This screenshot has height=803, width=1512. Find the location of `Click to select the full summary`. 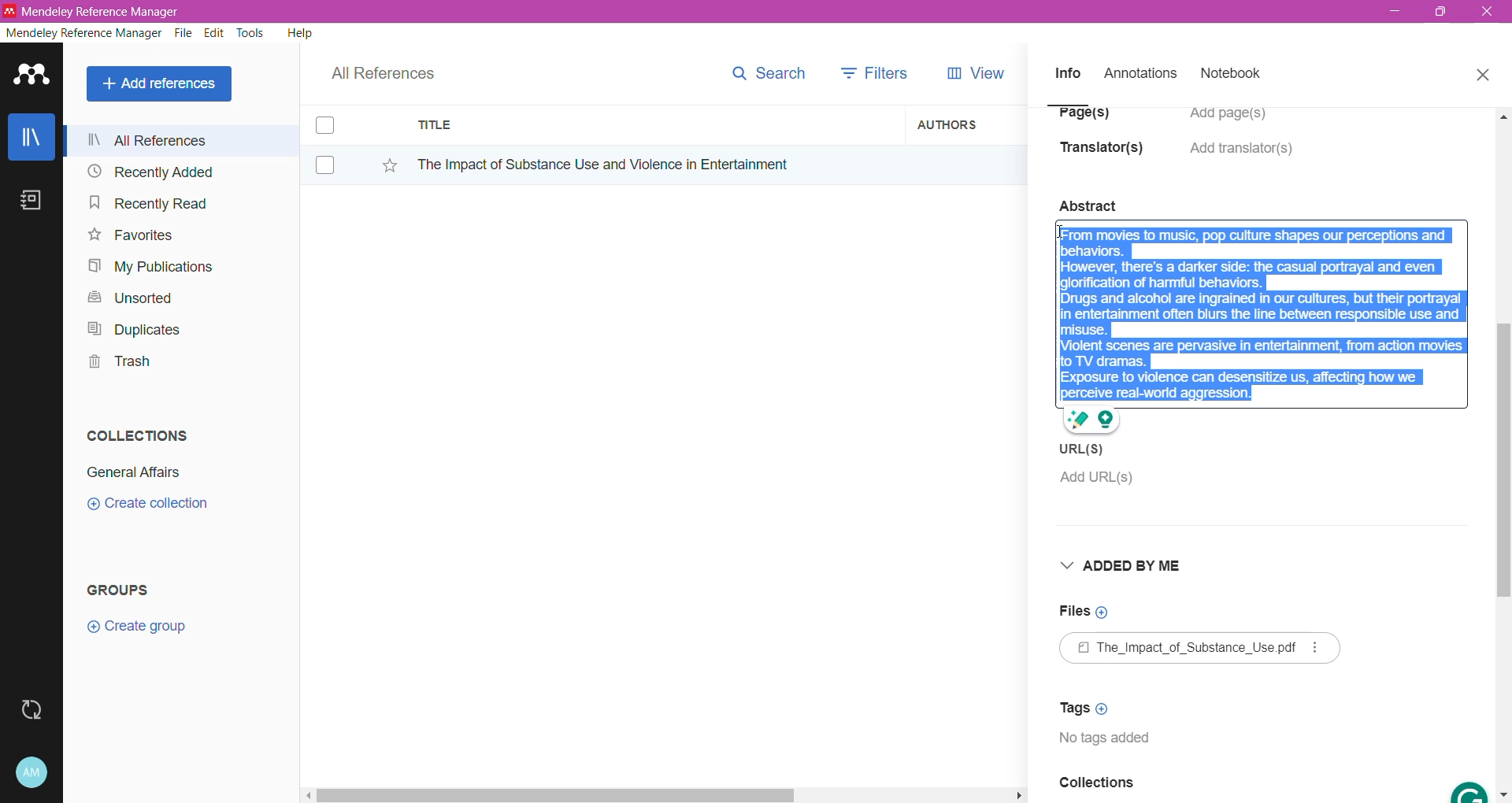

Click to select the full summary is located at coordinates (1262, 301).